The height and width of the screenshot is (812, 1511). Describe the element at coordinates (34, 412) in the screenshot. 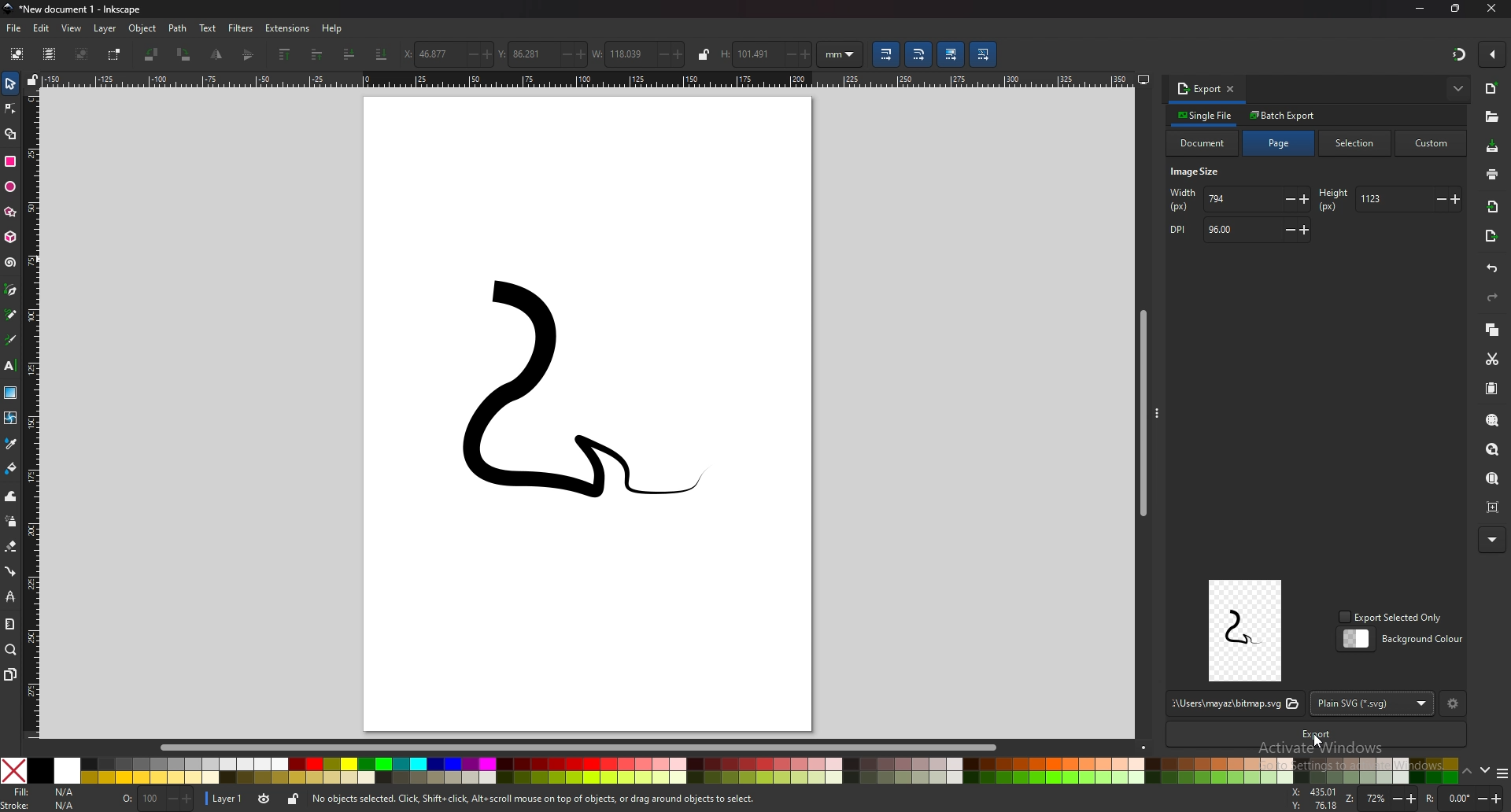

I see `vertical scale` at that location.